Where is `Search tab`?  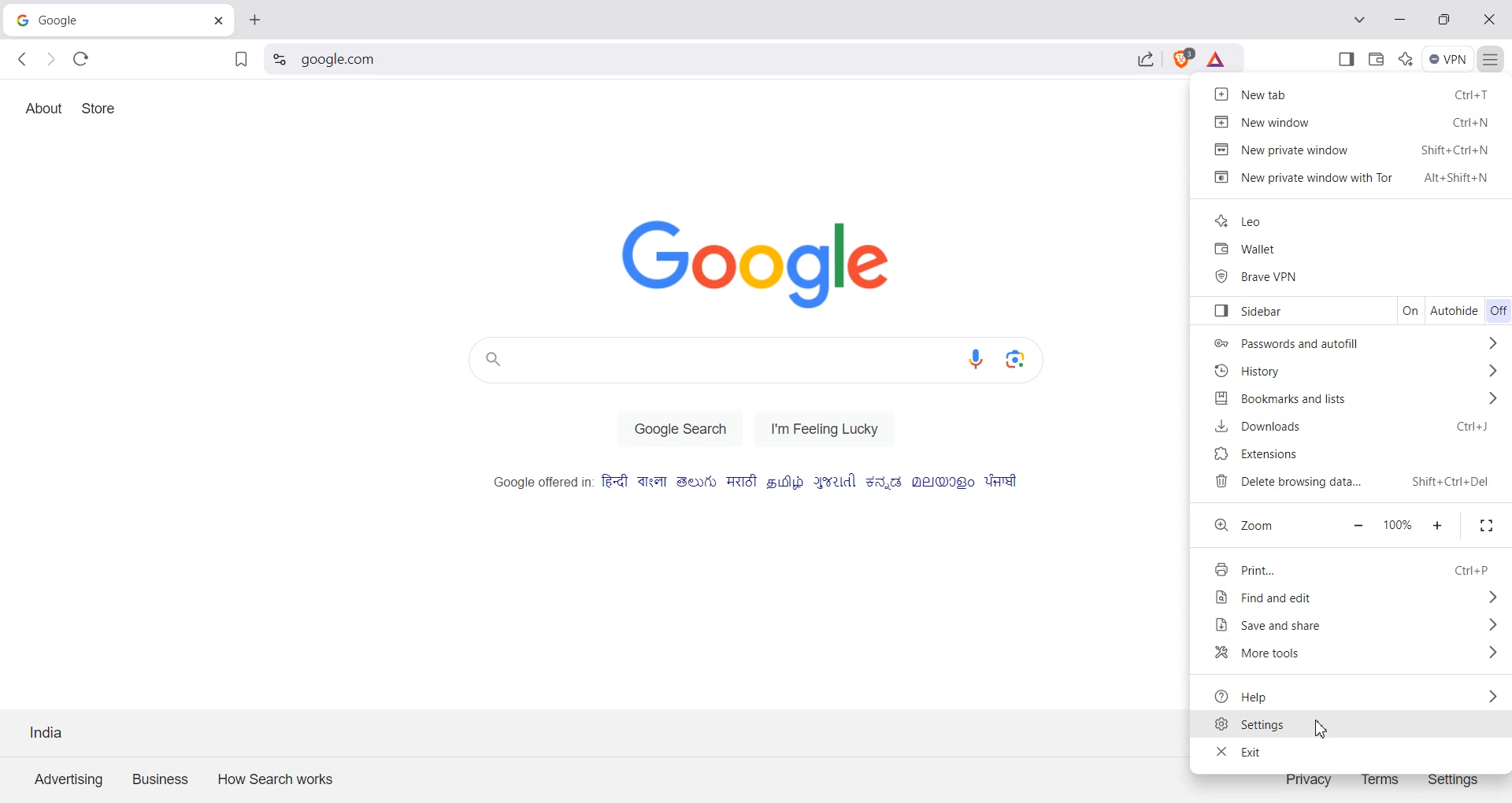
Search tab is located at coordinates (1362, 21).